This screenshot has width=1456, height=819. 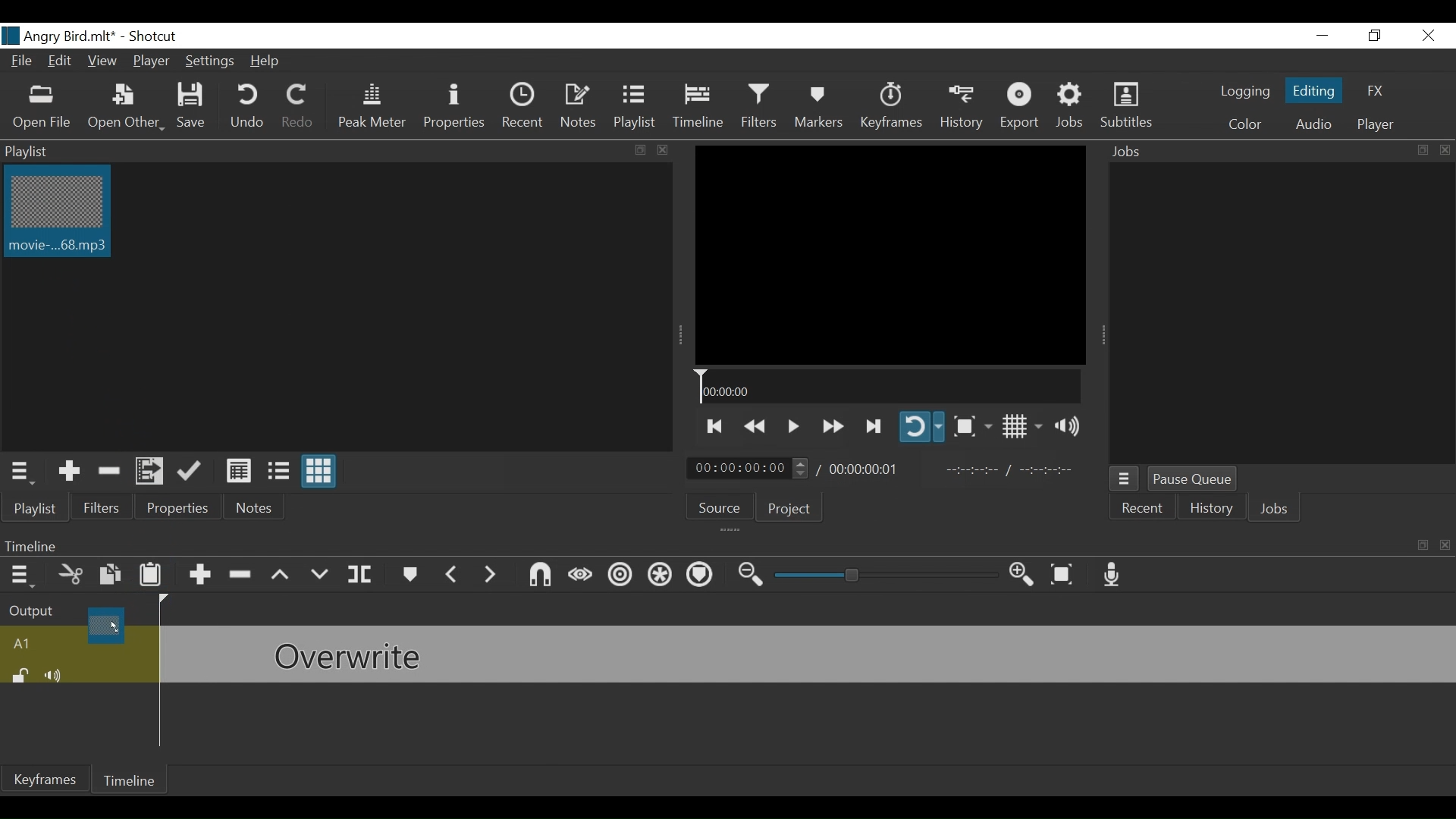 I want to click on Jobs menu, so click(x=1125, y=479).